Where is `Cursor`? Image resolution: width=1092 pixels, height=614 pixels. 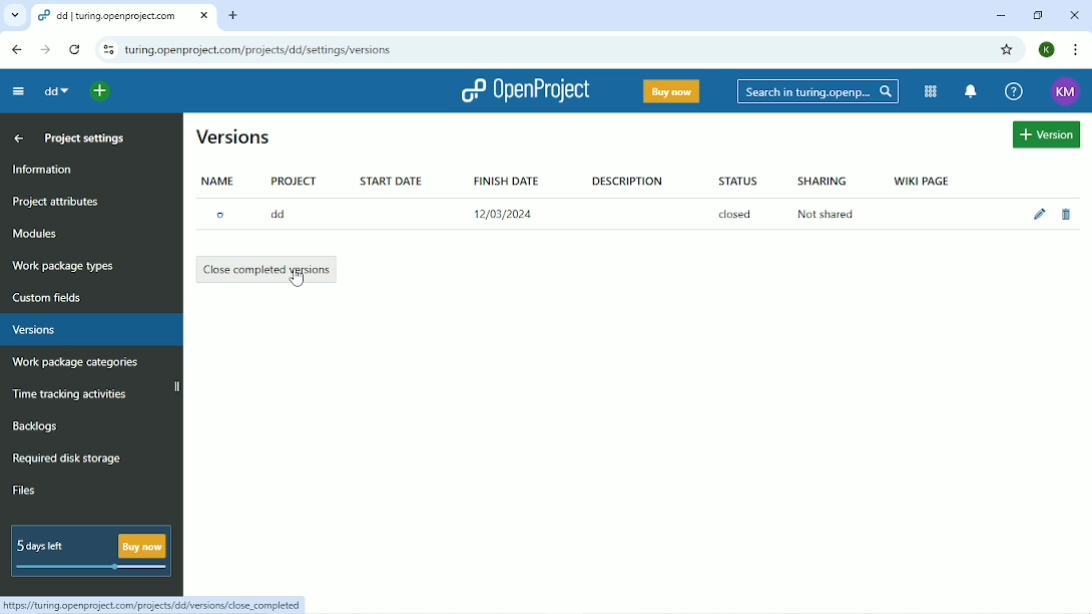
Cursor is located at coordinates (296, 277).